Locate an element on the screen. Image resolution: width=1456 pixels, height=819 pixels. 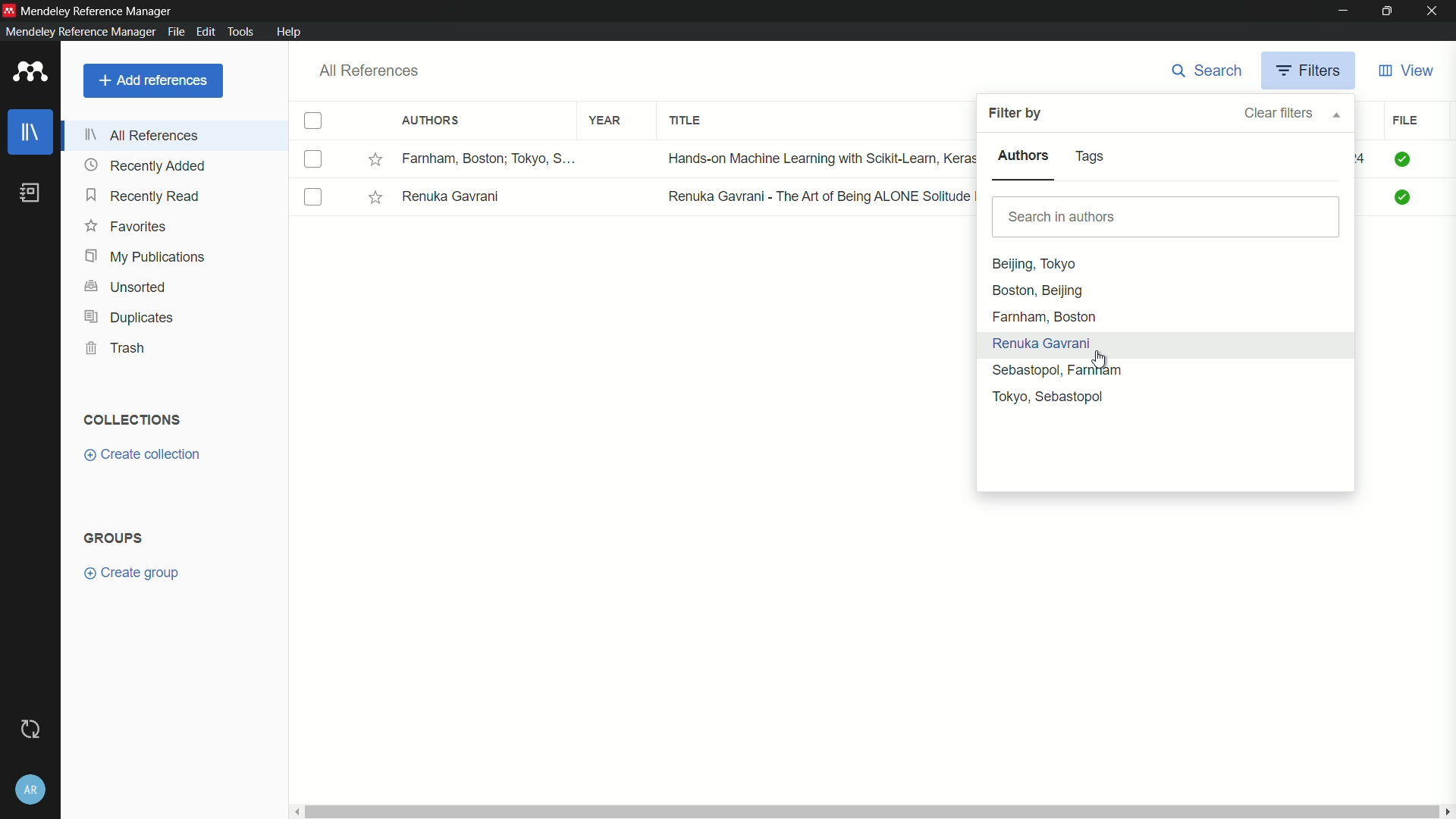
library is located at coordinates (29, 132).